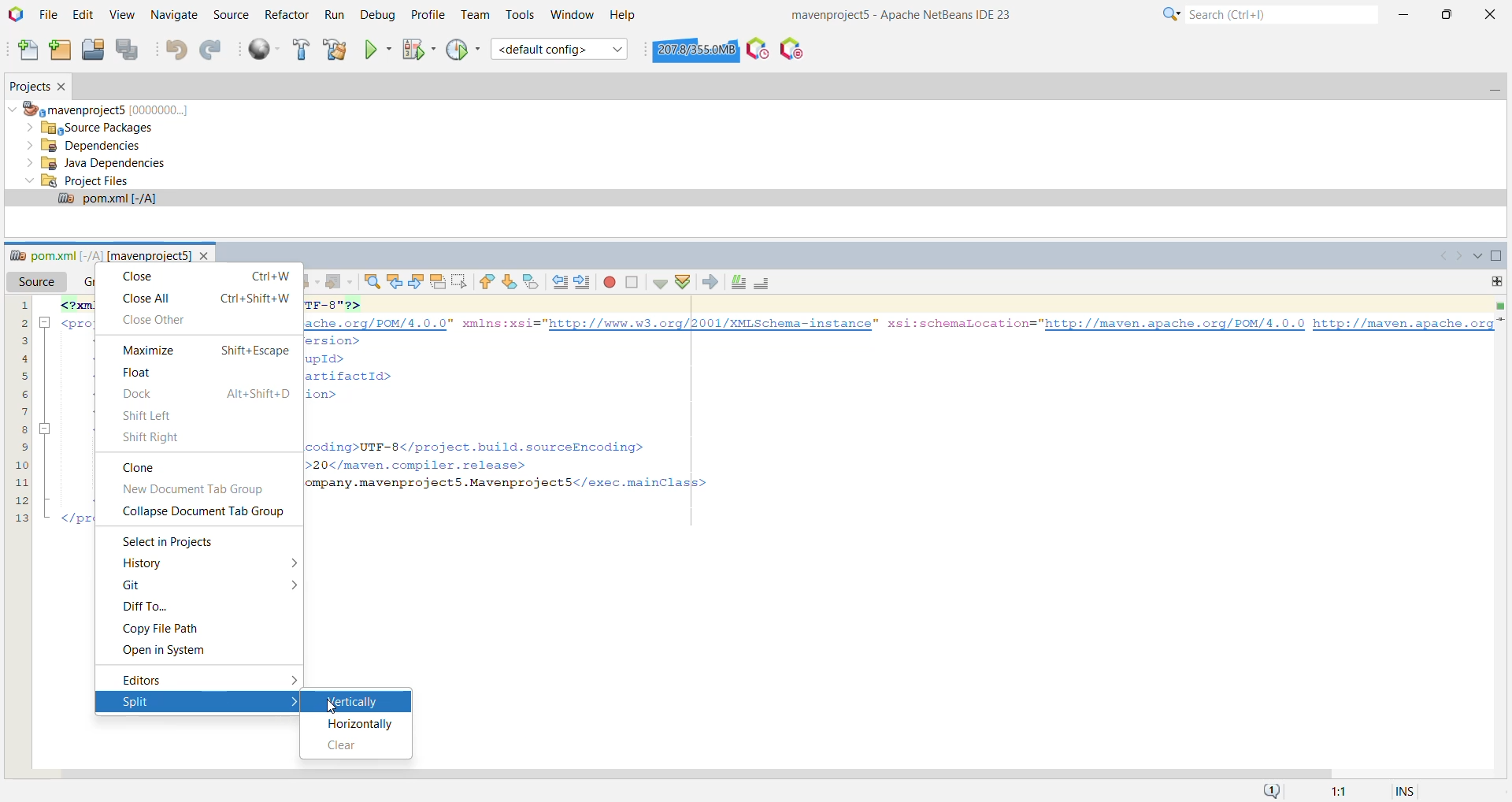 The height and width of the screenshot is (802, 1512). I want to click on File, so click(49, 16).